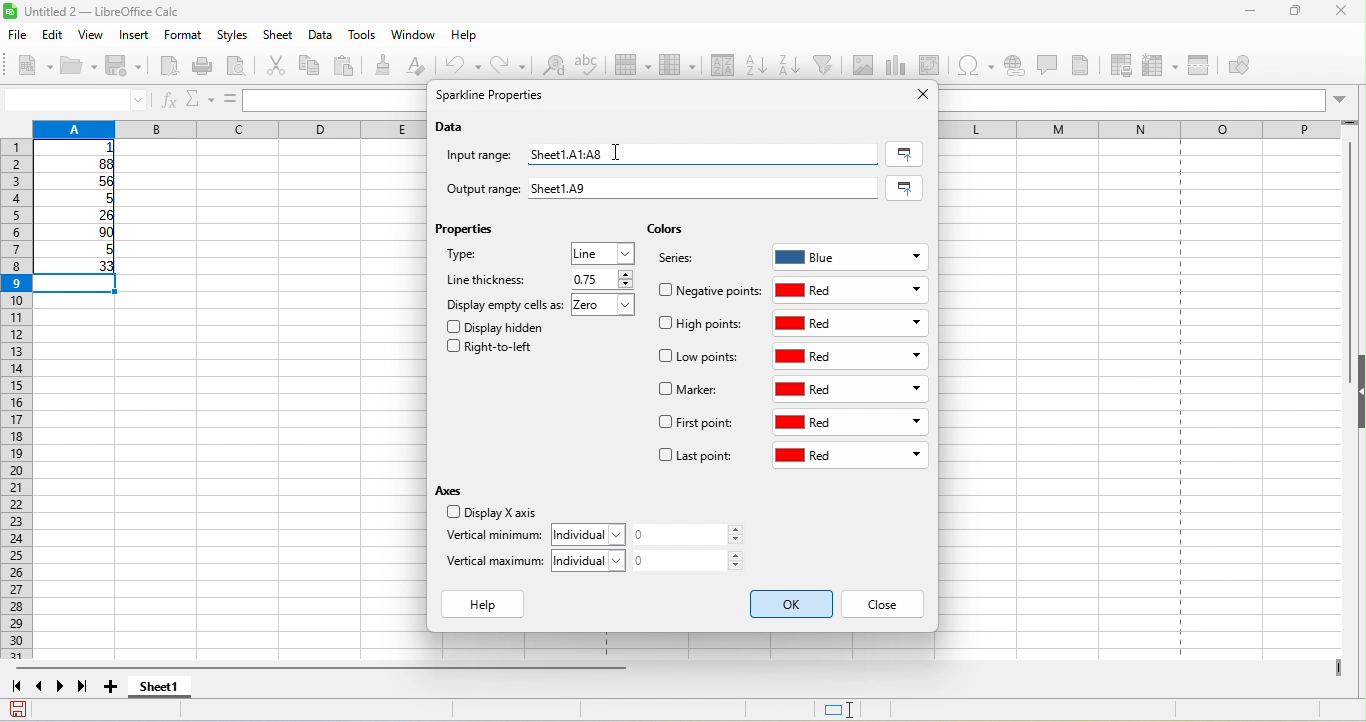 Image resolution: width=1366 pixels, height=722 pixels. Describe the element at coordinates (594, 560) in the screenshot. I see `individual` at that location.